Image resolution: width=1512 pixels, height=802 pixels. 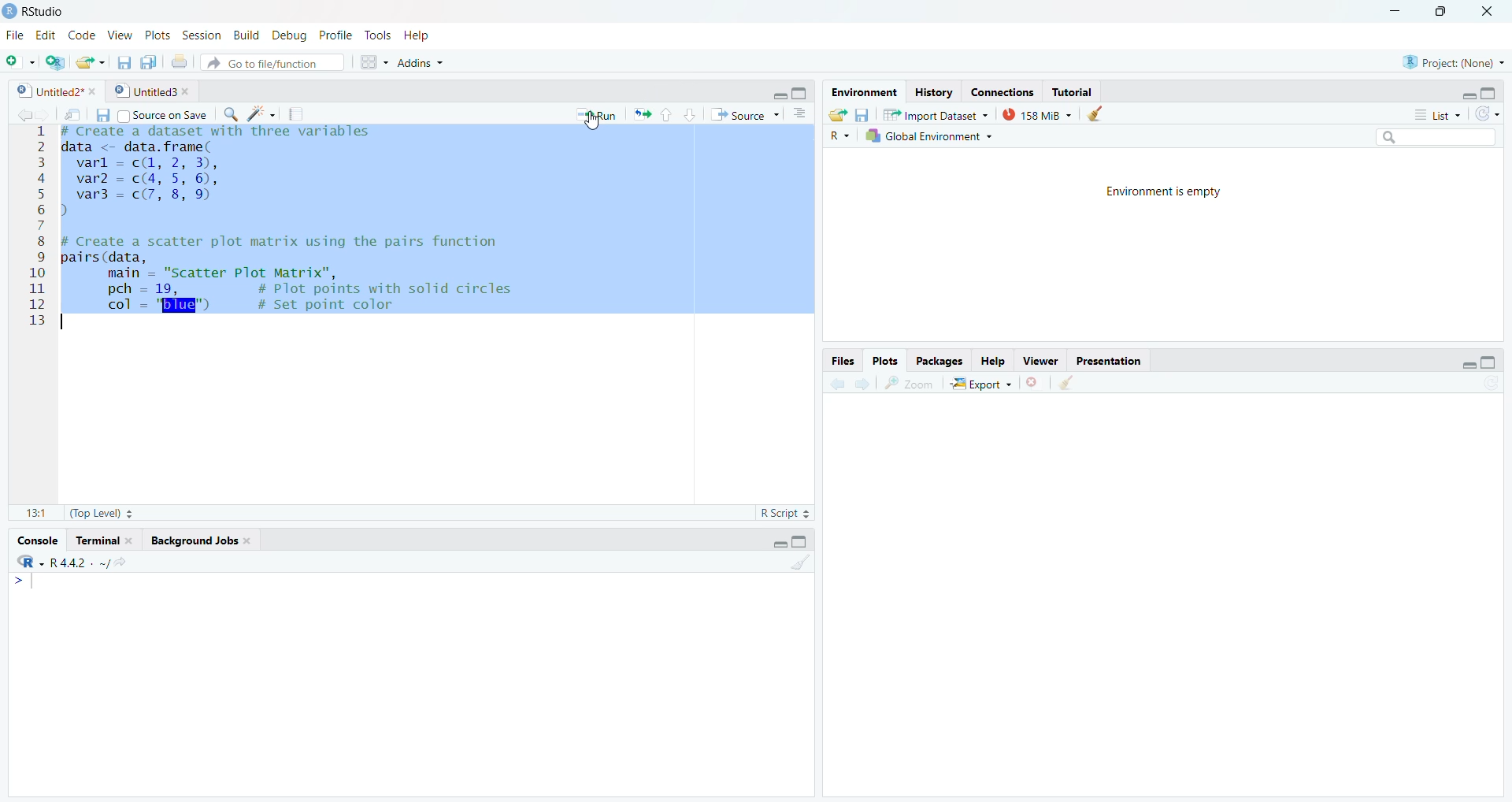 I want to click on Plots, so click(x=157, y=34).